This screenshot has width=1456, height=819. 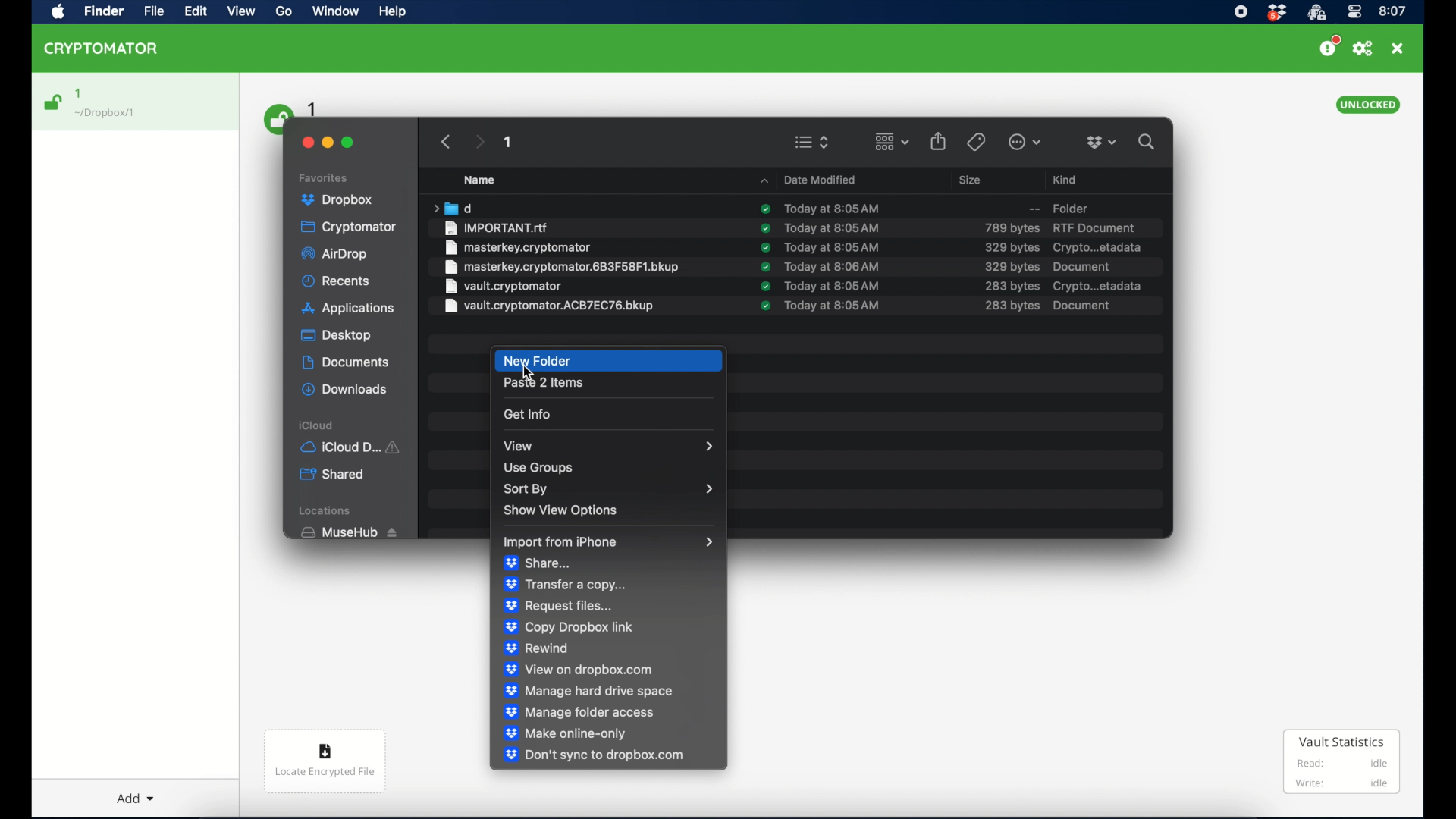 What do you see at coordinates (518, 247) in the screenshot?
I see `file name` at bounding box center [518, 247].